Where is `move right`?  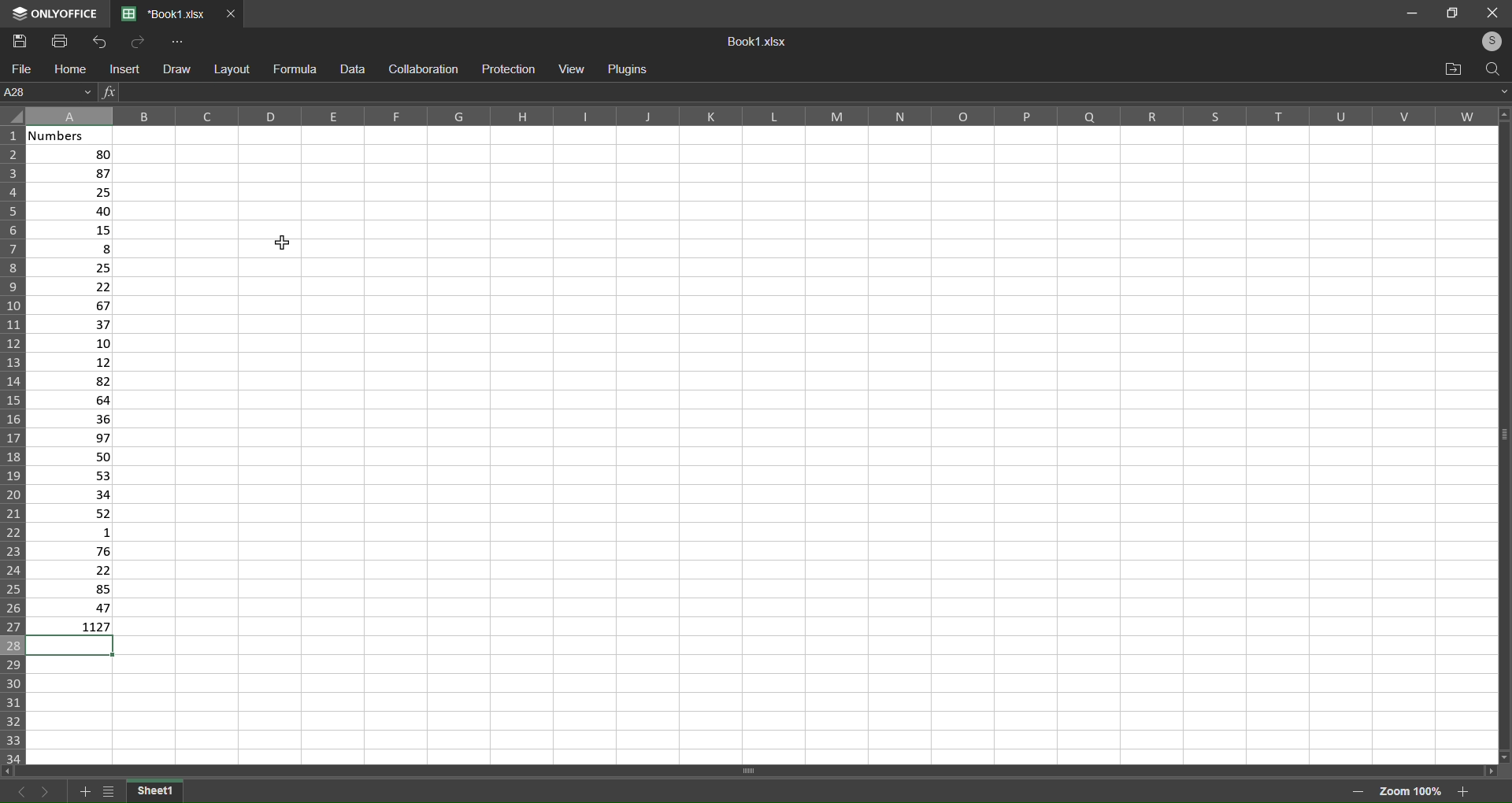
move right is located at coordinates (1498, 774).